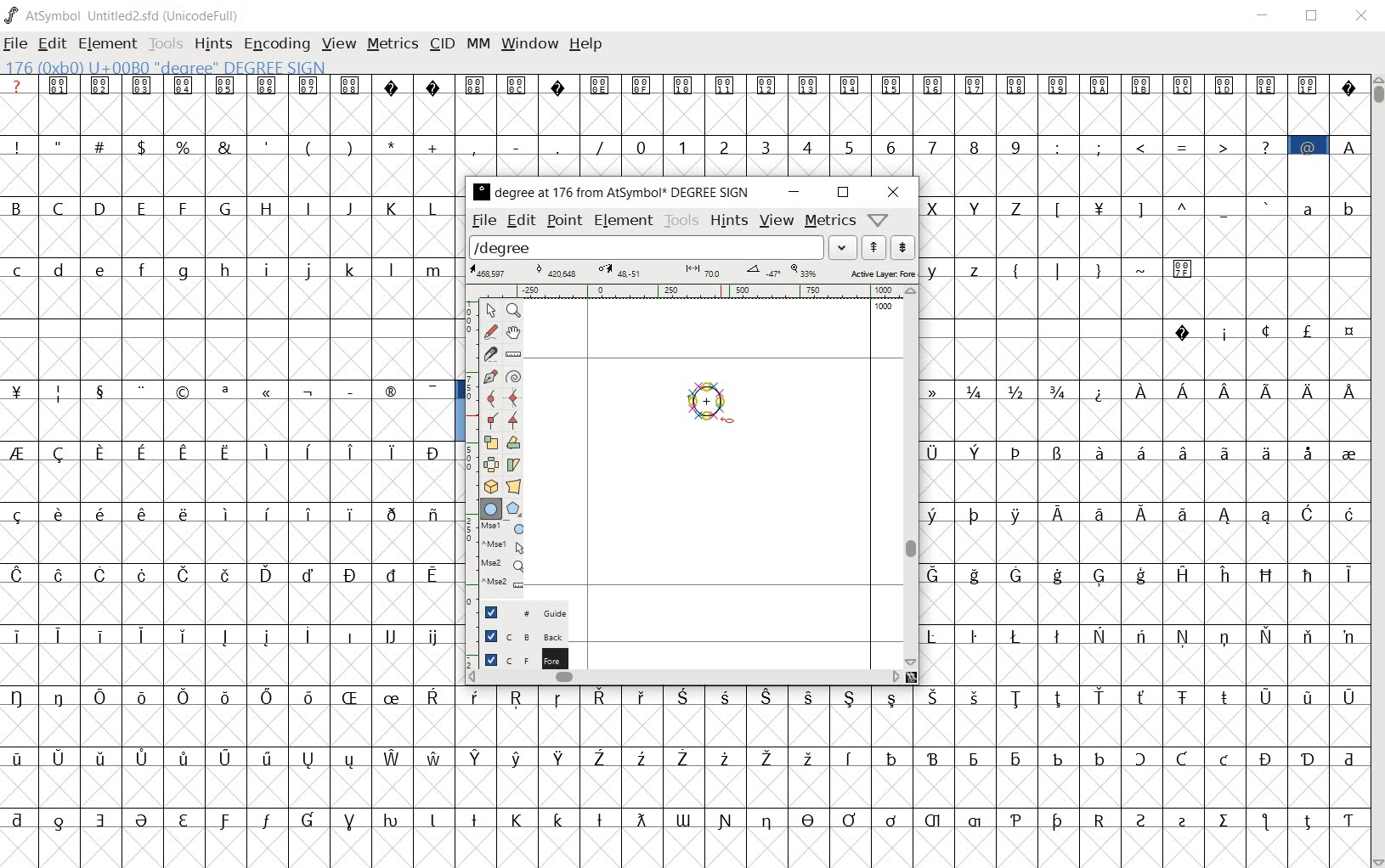 The width and height of the screenshot is (1385, 868). Describe the element at coordinates (232, 449) in the screenshot. I see `special letters` at that location.